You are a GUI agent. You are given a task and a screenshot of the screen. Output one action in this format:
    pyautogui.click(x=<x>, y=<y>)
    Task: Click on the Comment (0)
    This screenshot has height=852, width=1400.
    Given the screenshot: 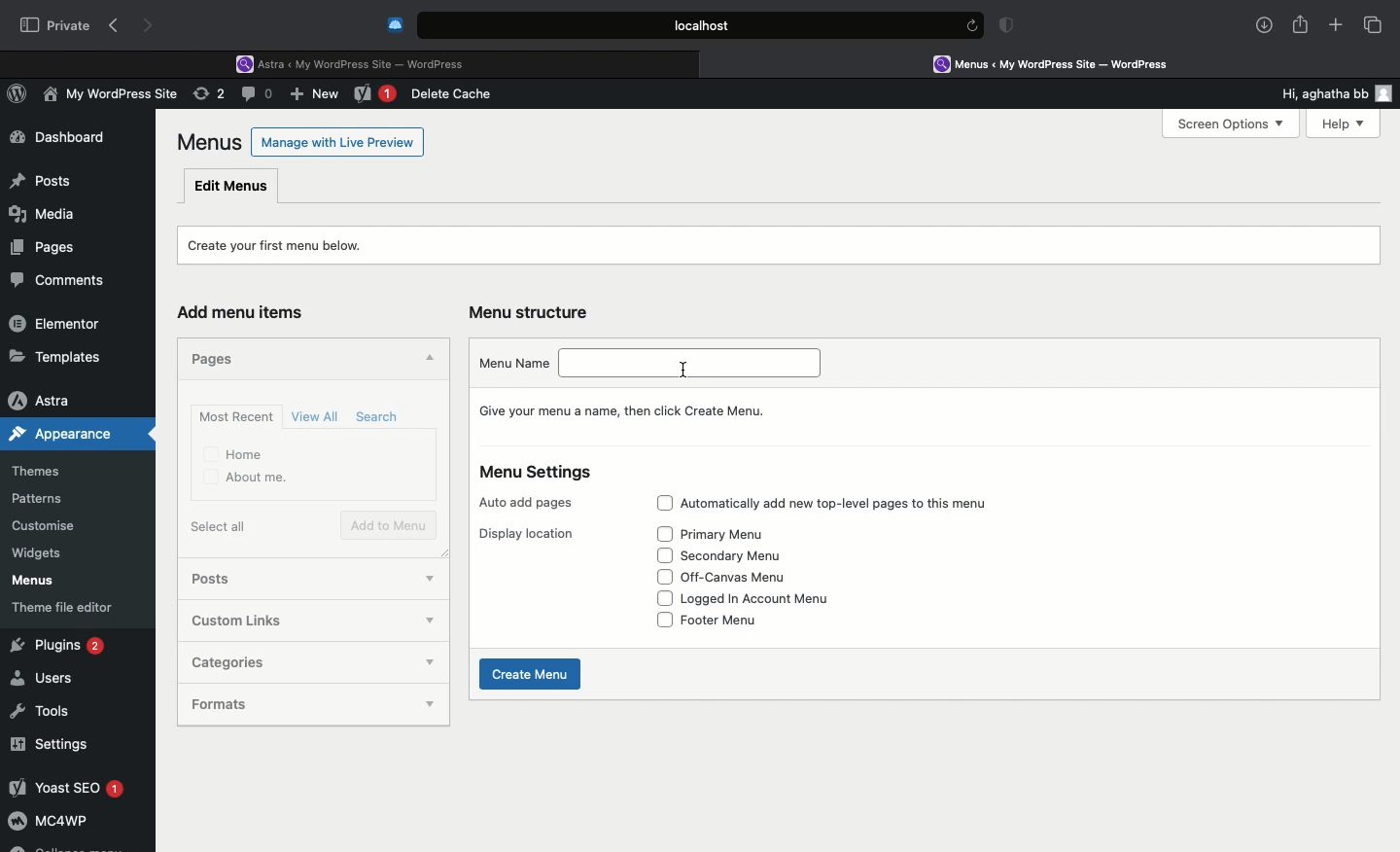 What is the action you would take?
    pyautogui.click(x=260, y=93)
    